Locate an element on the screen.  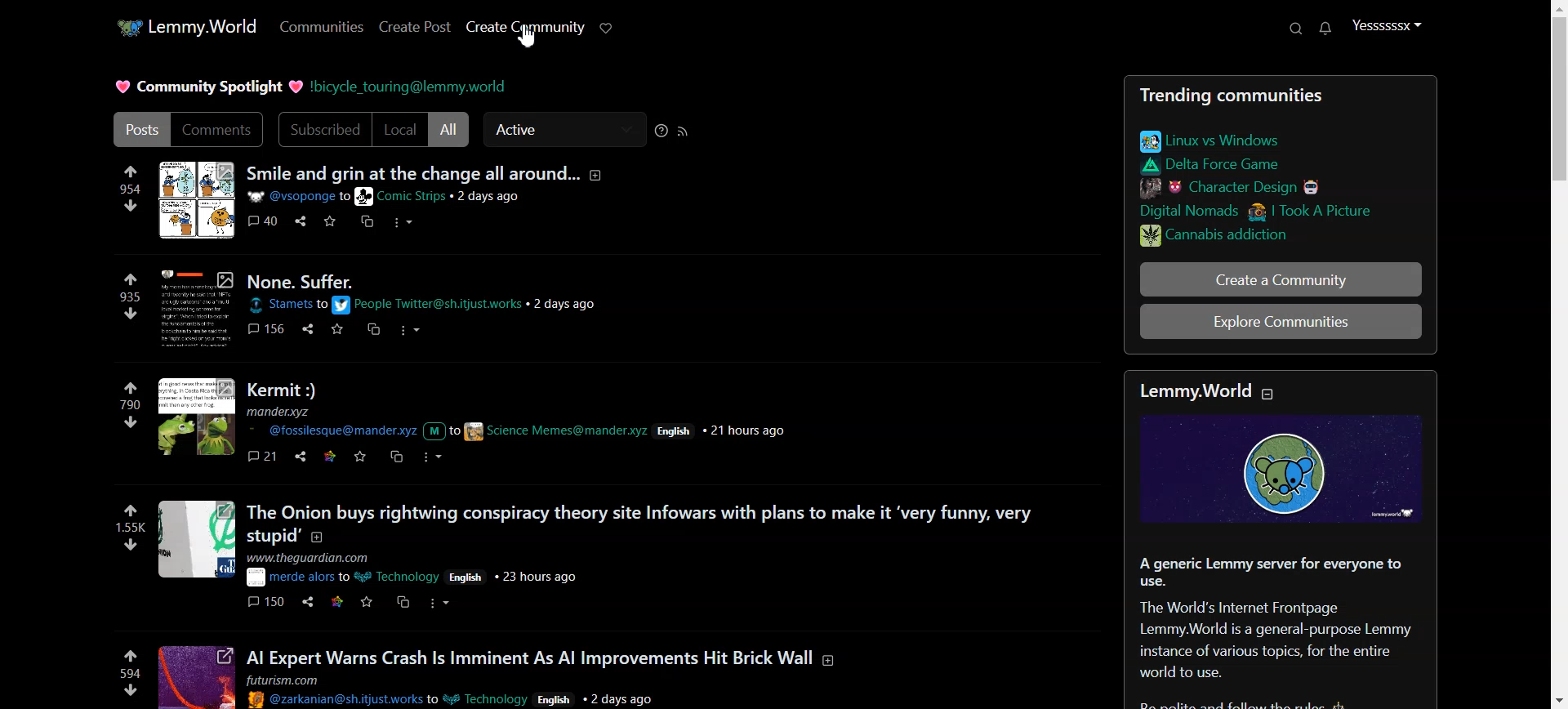
comments is located at coordinates (266, 456).